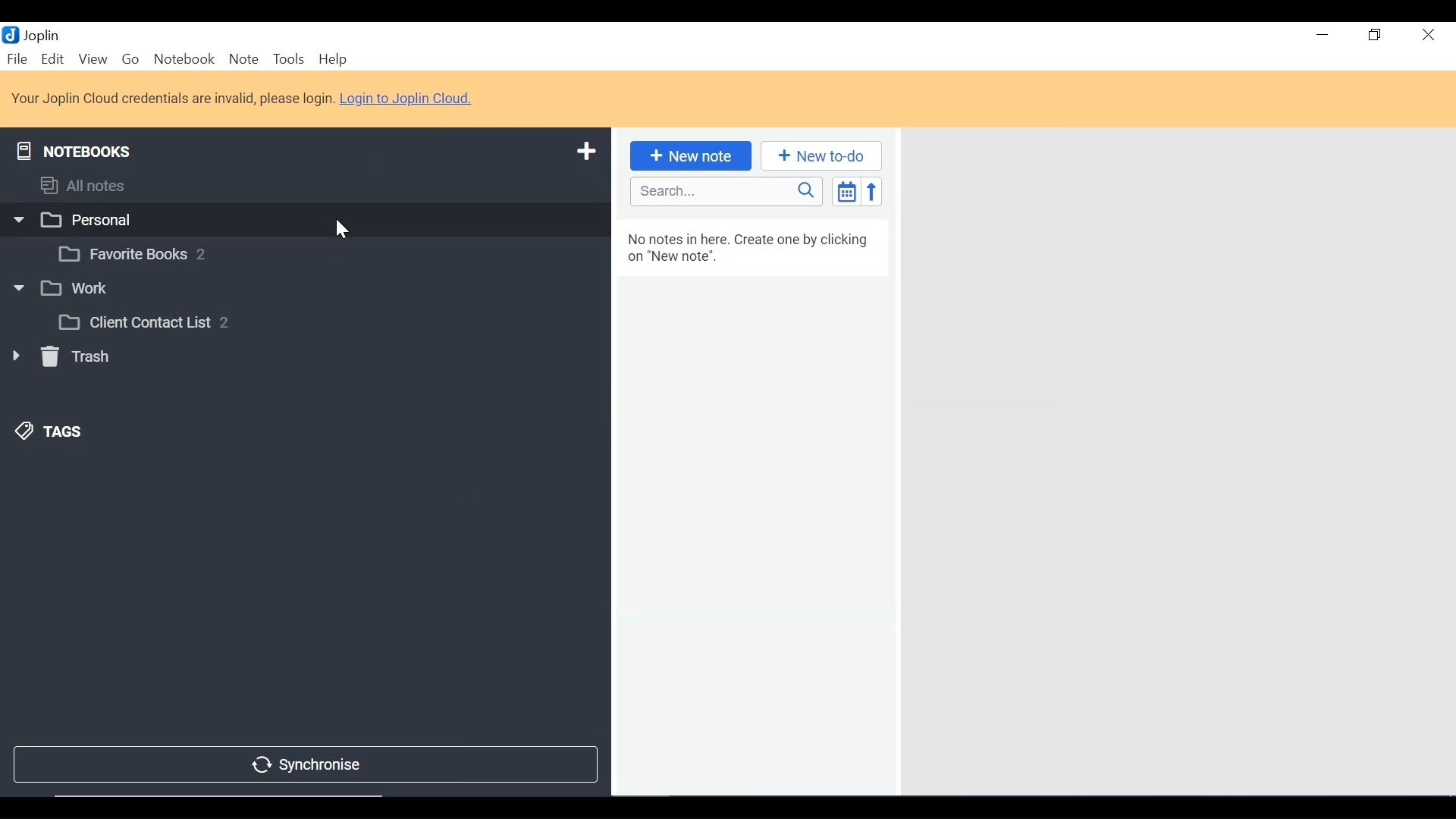  What do you see at coordinates (93, 60) in the screenshot?
I see `View` at bounding box center [93, 60].